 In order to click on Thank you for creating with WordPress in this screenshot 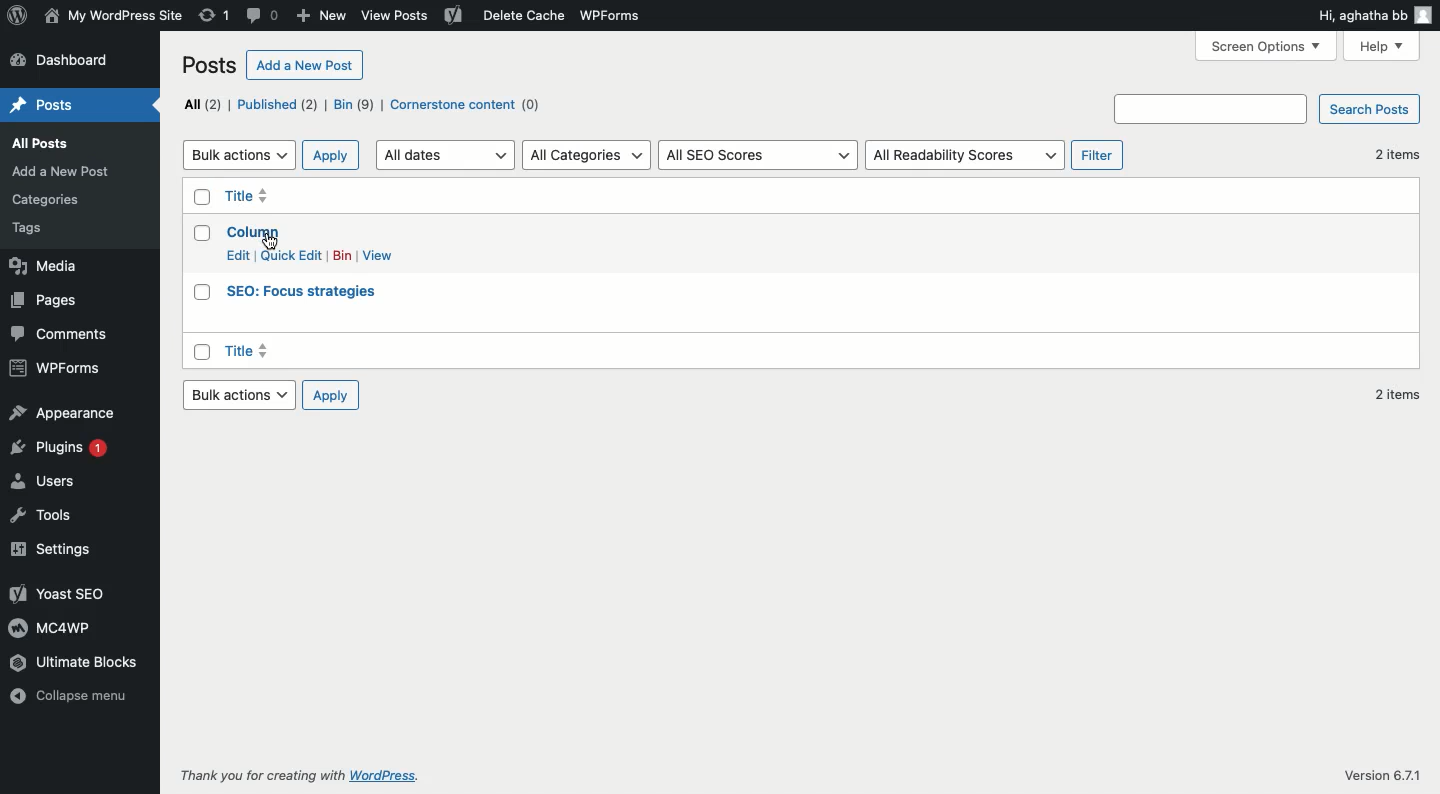, I will do `click(313, 776)`.